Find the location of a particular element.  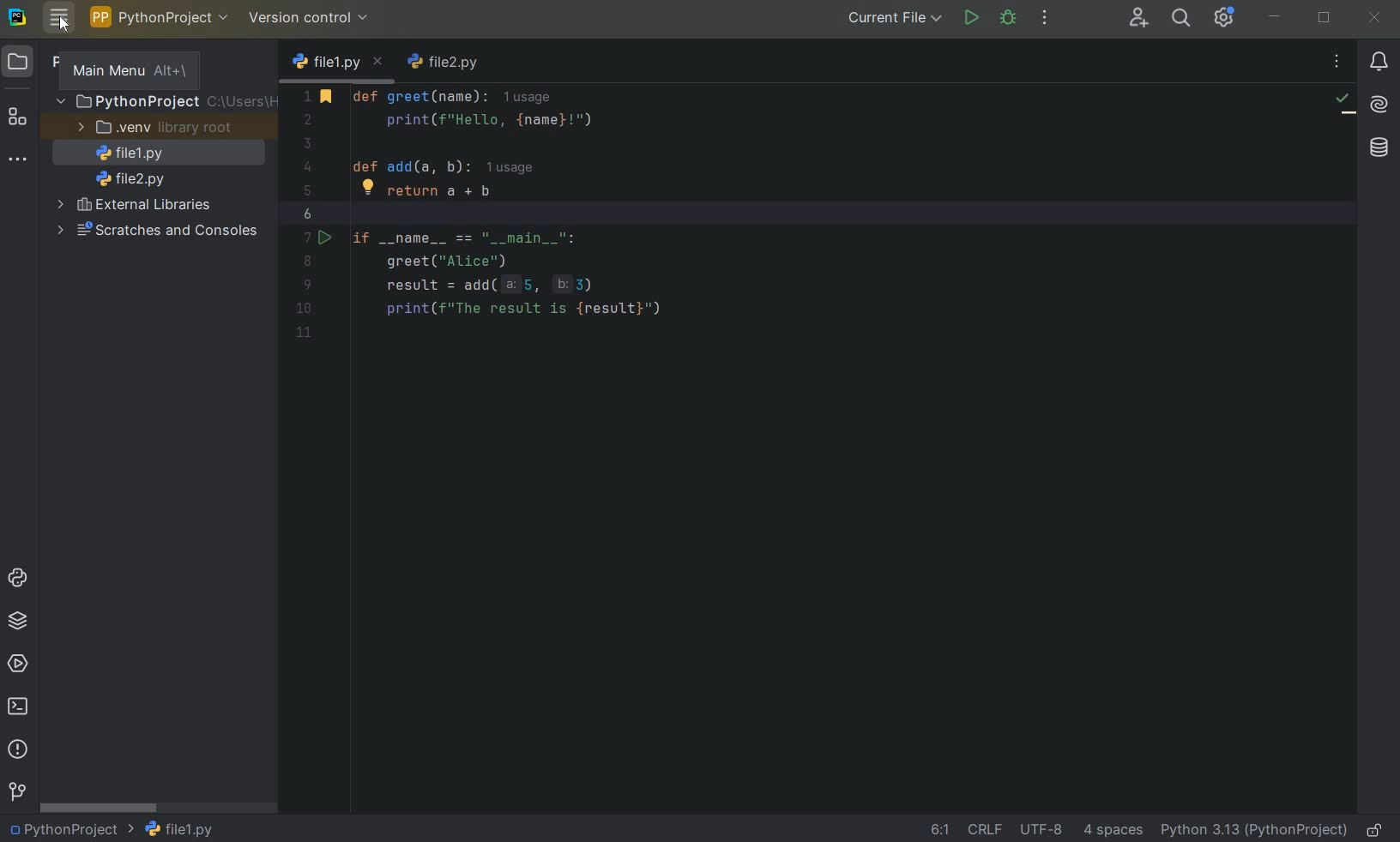

structure is located at coordinates (17, 119).